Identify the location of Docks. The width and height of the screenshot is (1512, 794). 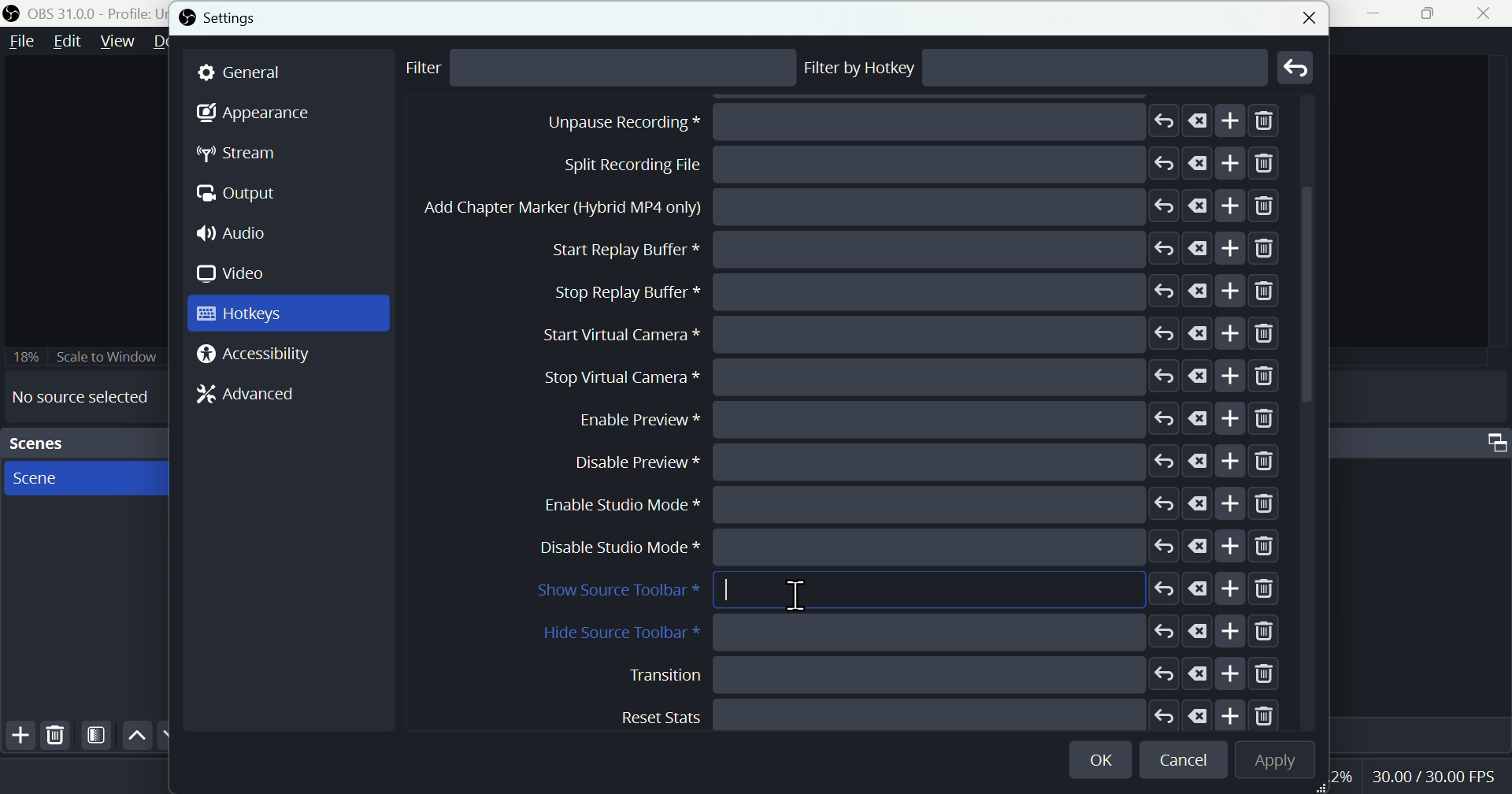
(172, 43).